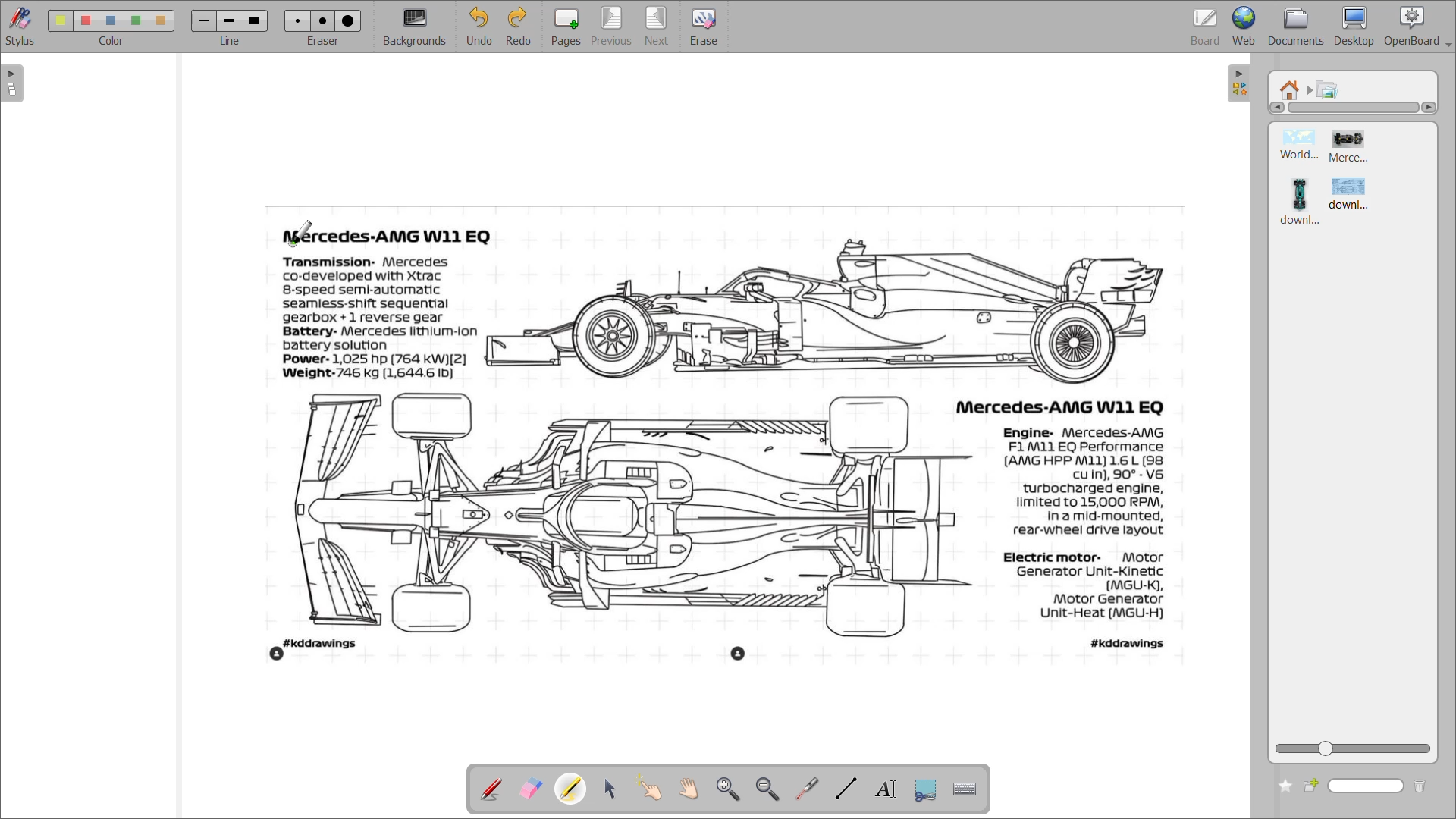 The height and width of the screenshot is (819, 1456). Describe the element at coordinates (1302, 145) in the screenshot. I see `image 1` at that location.